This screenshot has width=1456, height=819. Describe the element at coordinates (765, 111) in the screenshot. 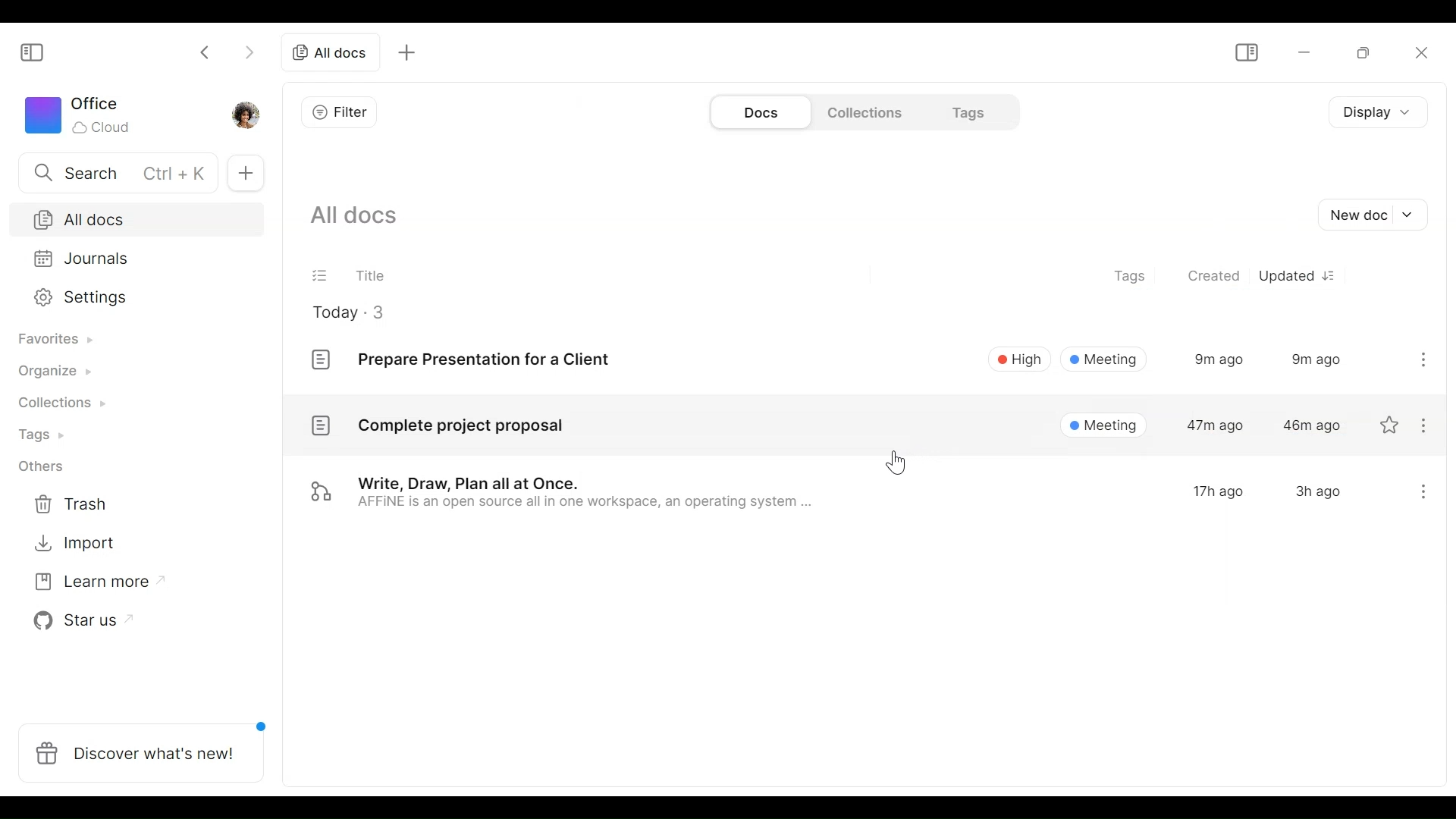

I see `Documents` at that location.